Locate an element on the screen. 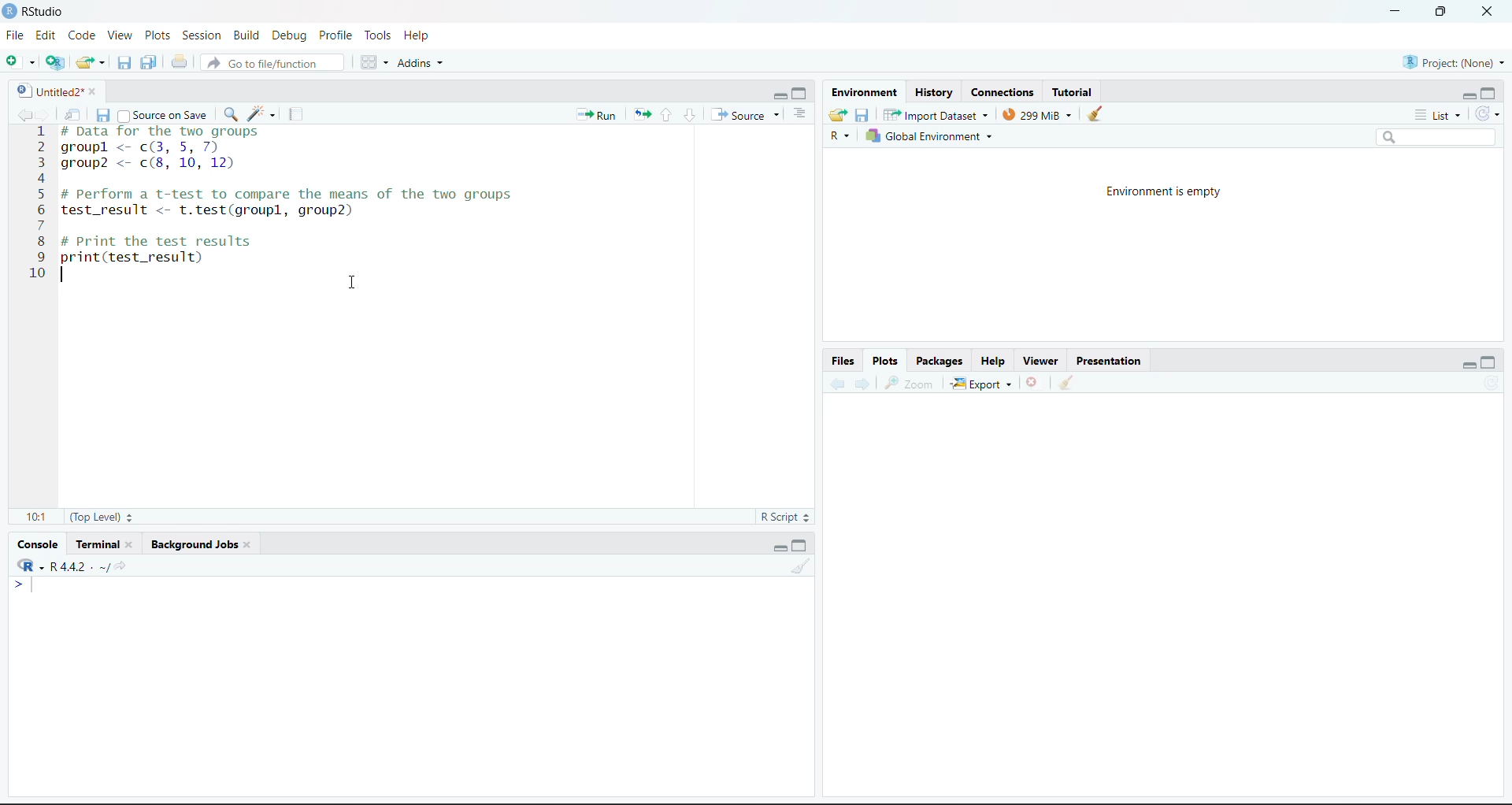  addins is located at coordinates (424, 61).